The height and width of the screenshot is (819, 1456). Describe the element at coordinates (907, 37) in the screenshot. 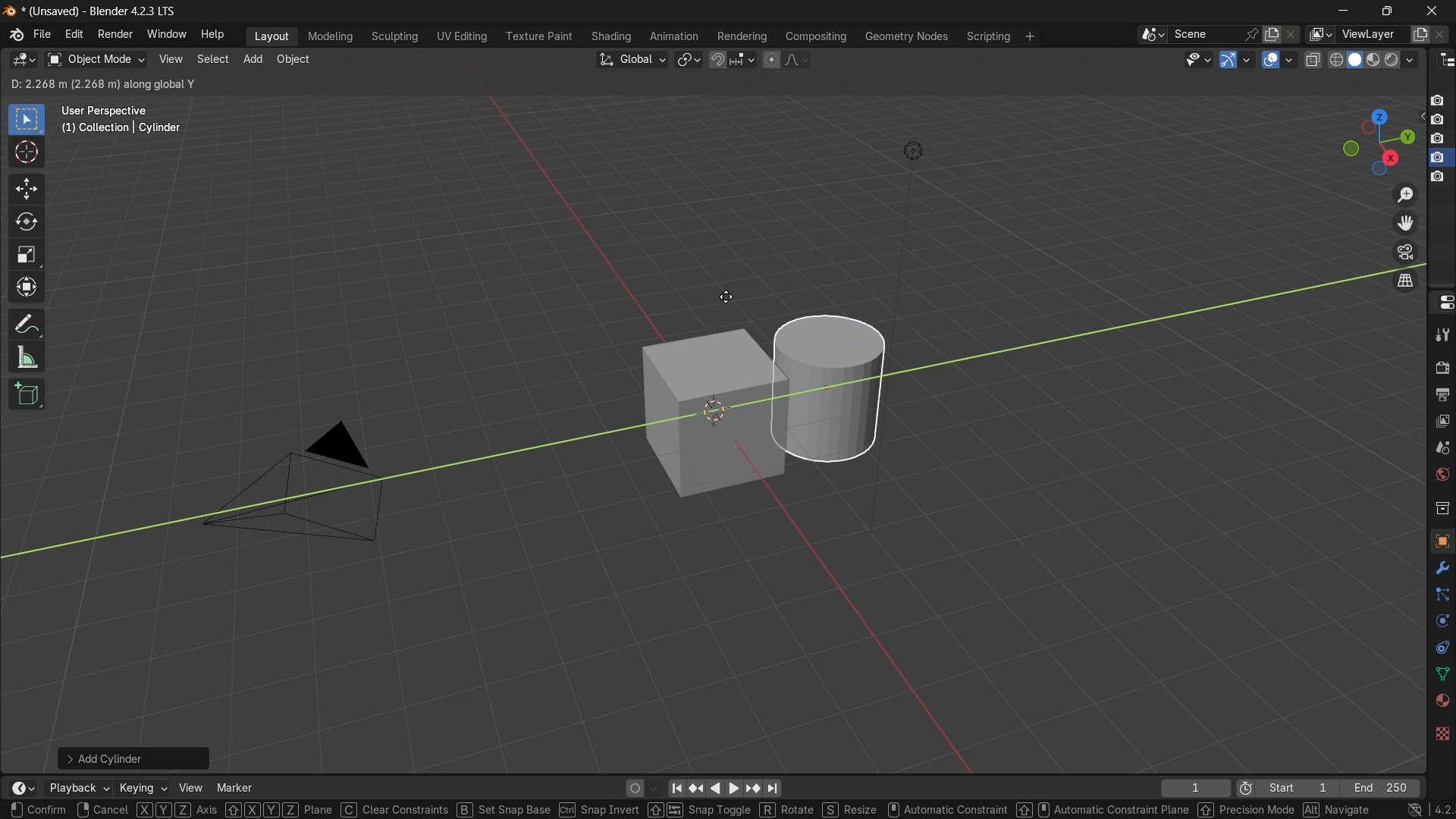

I see `geometry nodes menu` at that location.